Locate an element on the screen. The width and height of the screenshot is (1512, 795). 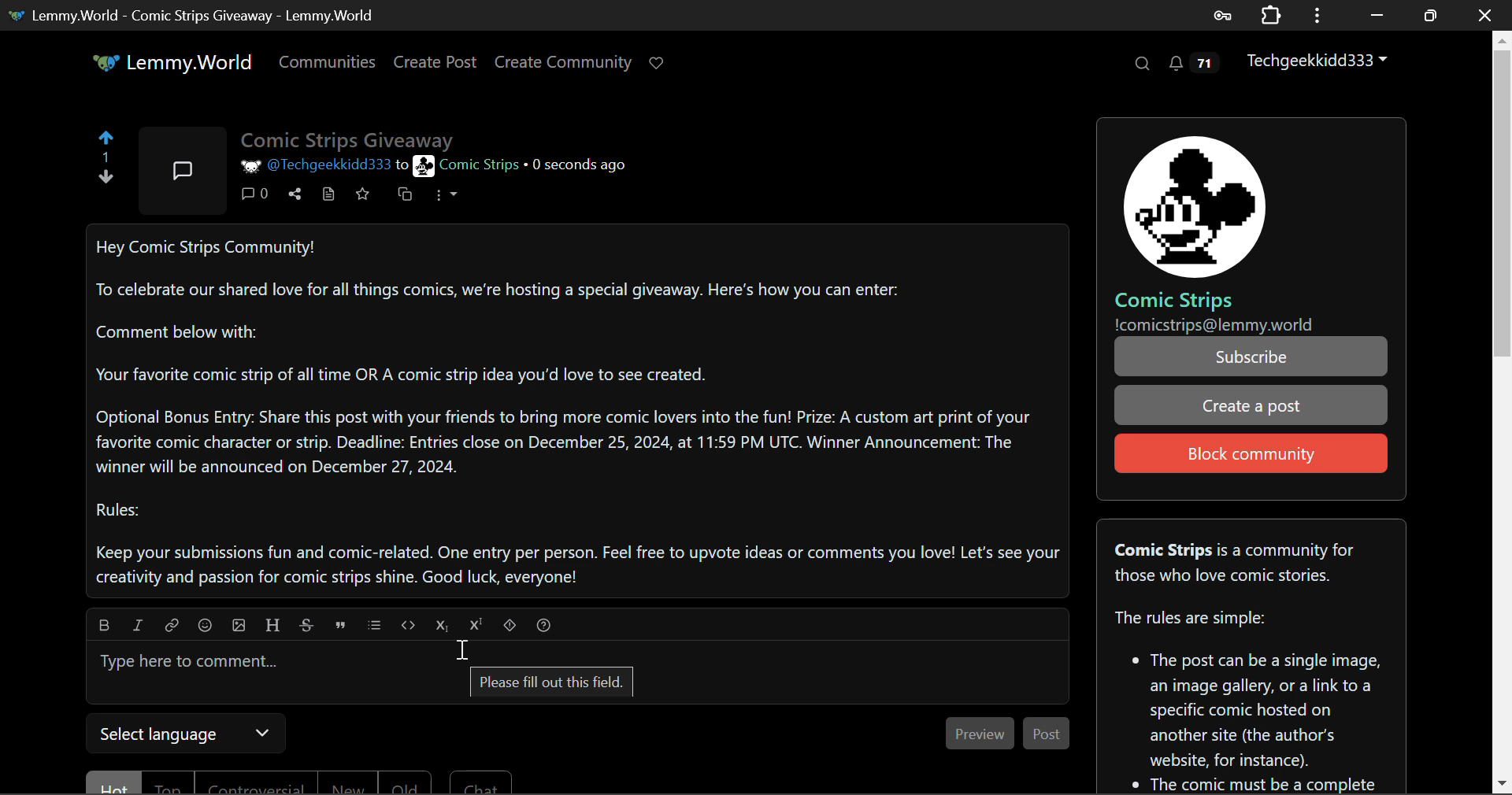
Please fill out this field. is located at coordinates (552, 684).